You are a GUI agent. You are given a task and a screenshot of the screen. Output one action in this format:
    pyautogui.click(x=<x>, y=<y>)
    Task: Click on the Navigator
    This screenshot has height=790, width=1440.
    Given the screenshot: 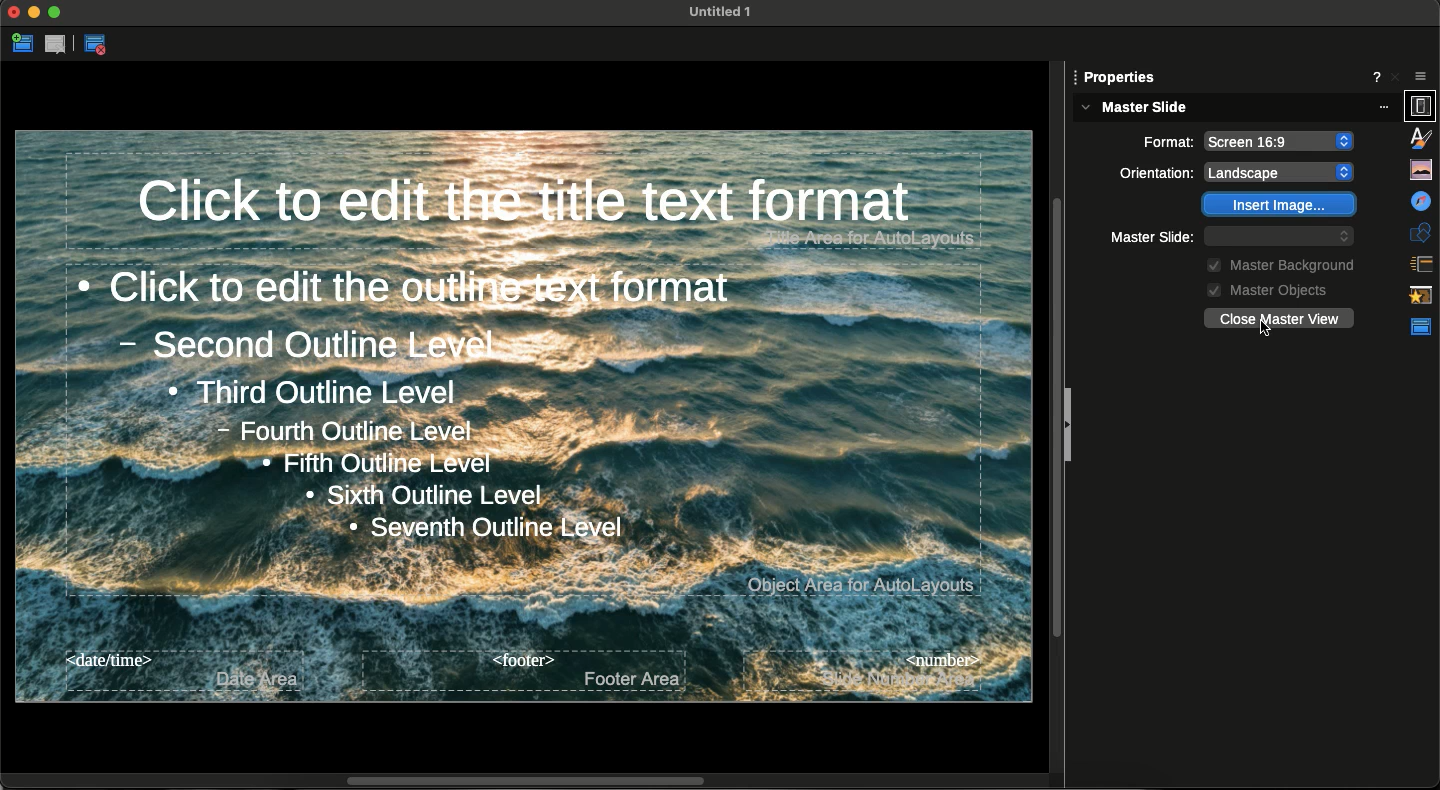 What is the action you would take?
    pyautogui.click(x=1420, y=167)
    